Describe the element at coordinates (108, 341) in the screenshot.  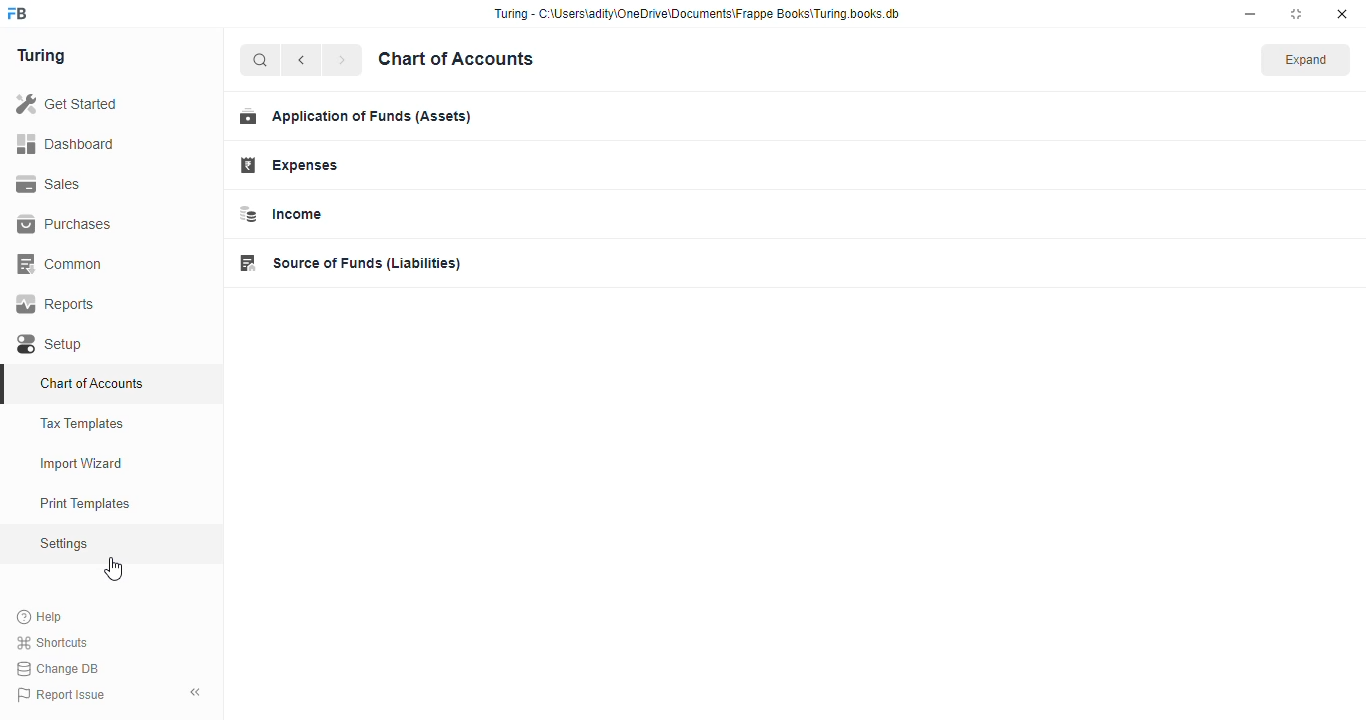
I see `Setup` at that location.